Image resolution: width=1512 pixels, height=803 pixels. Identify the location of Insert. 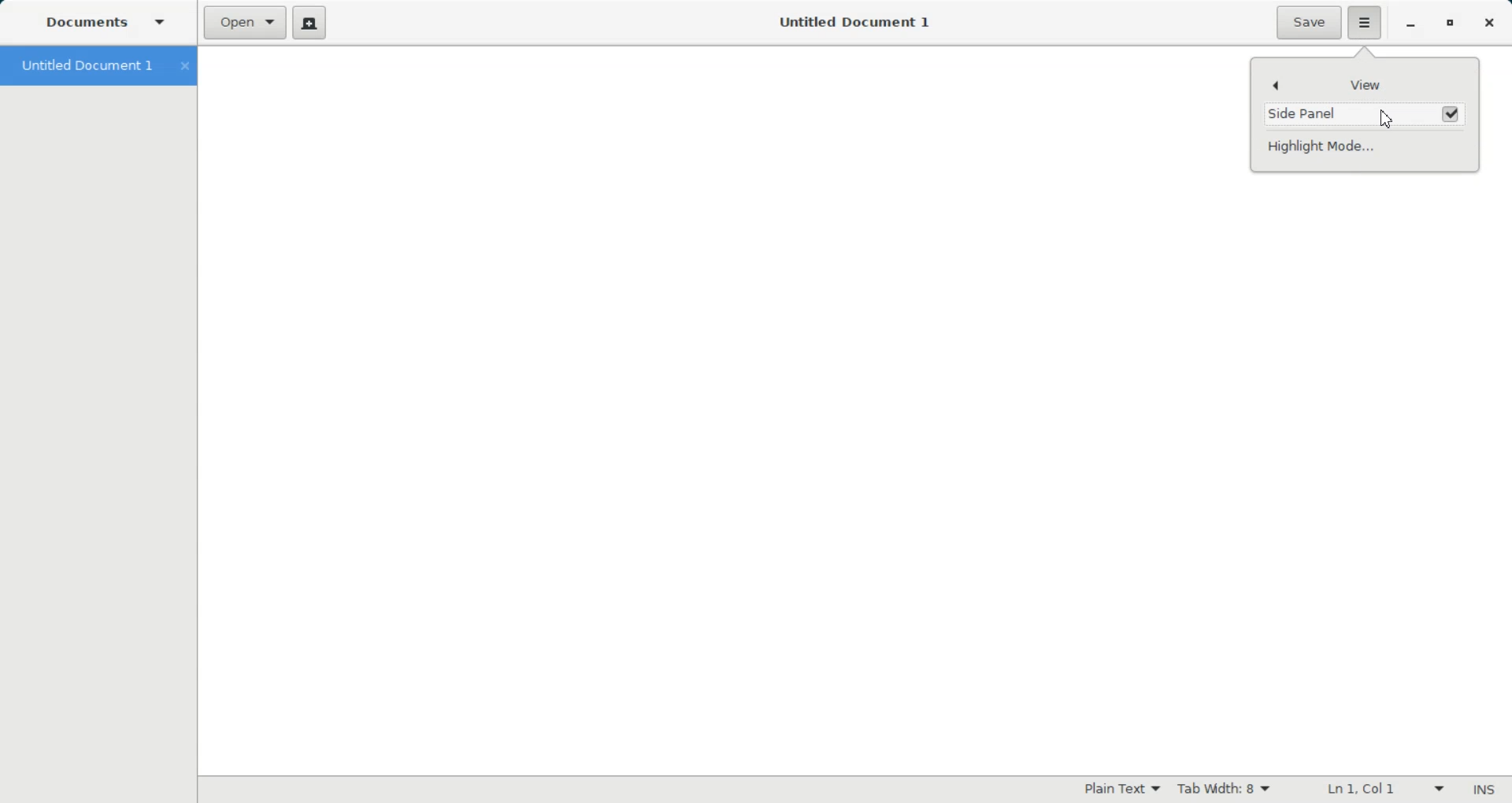
(1484, 789).